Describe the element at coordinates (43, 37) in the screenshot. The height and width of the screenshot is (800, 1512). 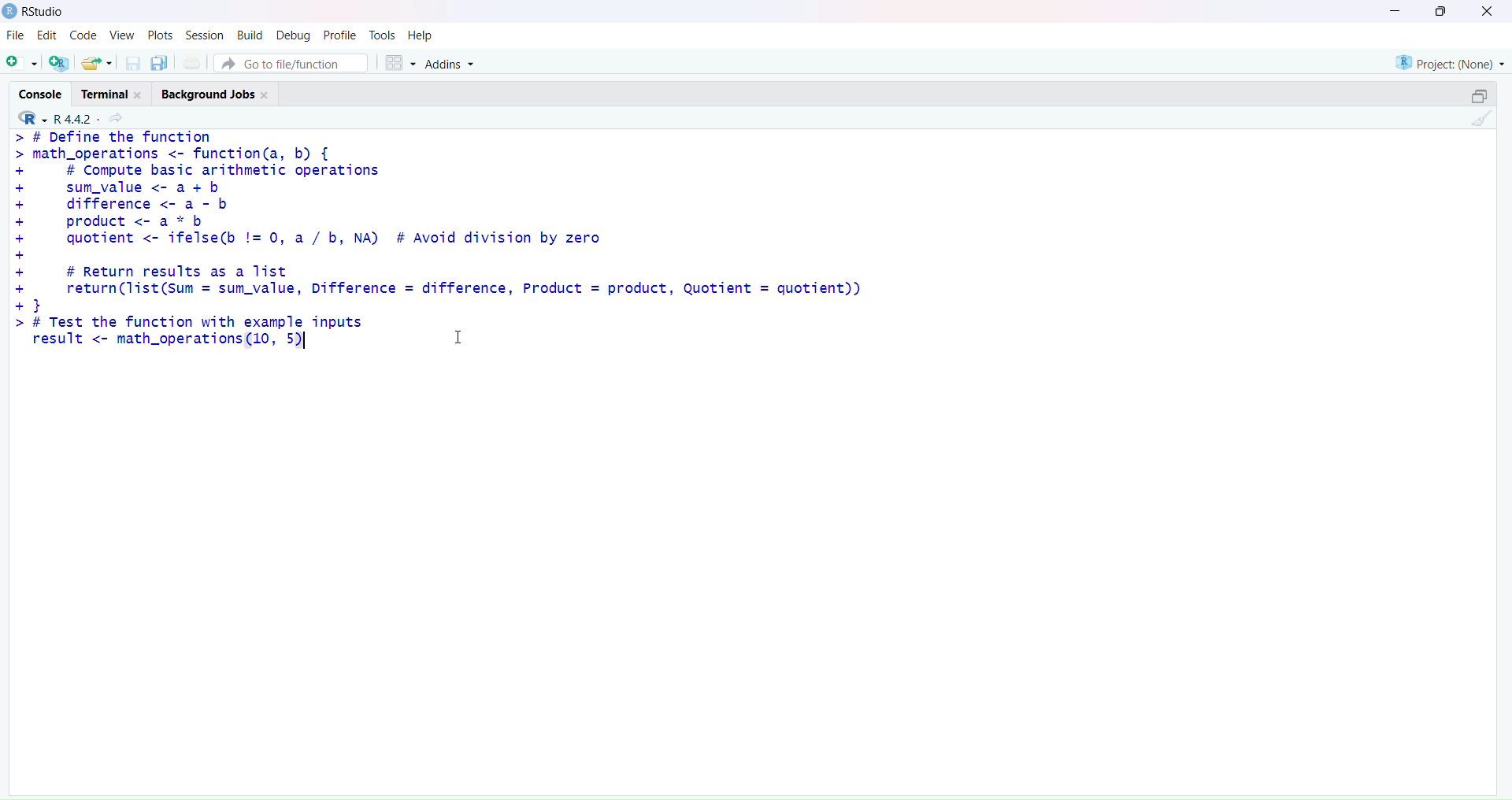
I see `Edit` at that location.